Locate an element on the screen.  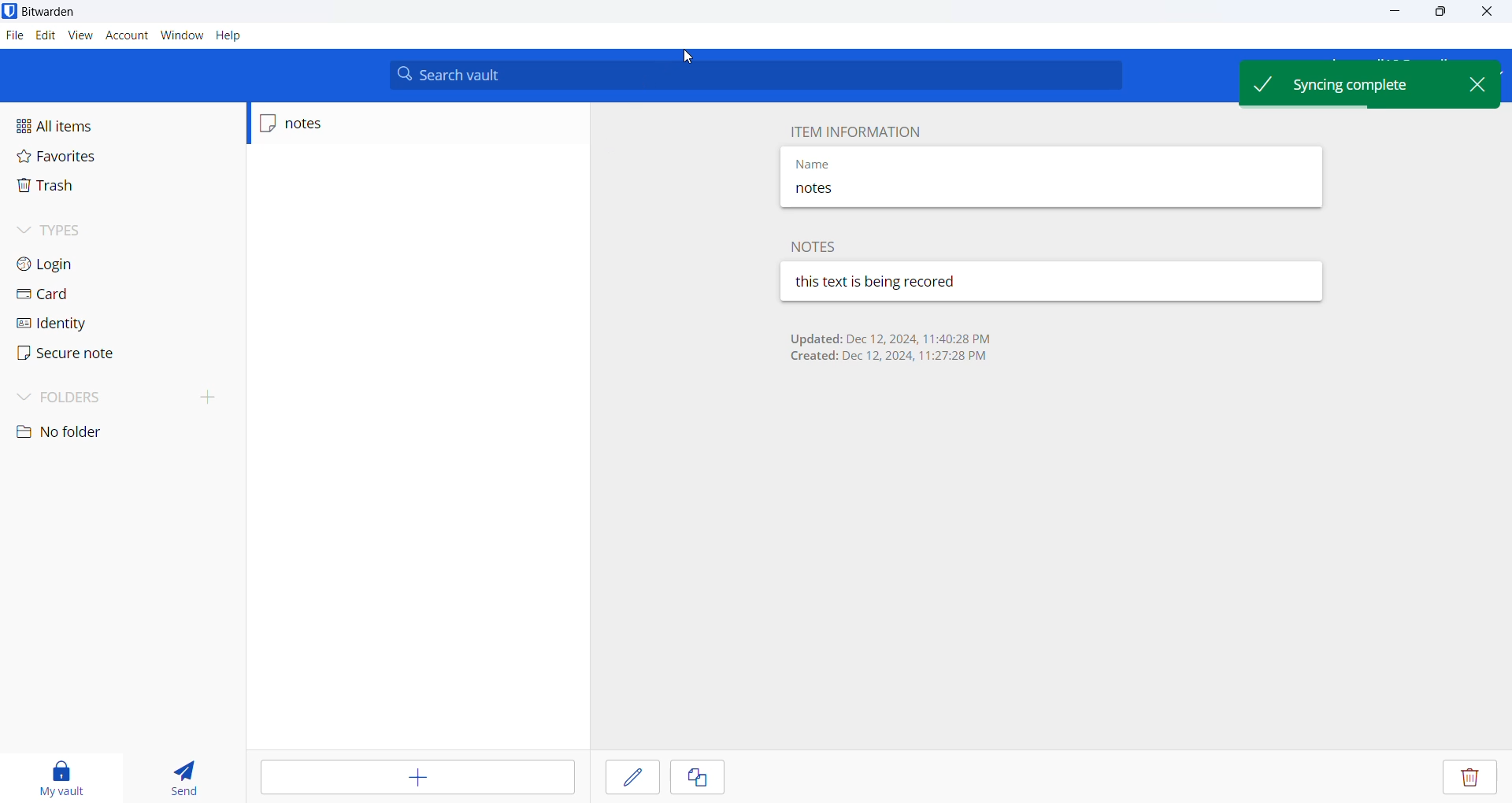
favorites is located at coordinates (72, 157).